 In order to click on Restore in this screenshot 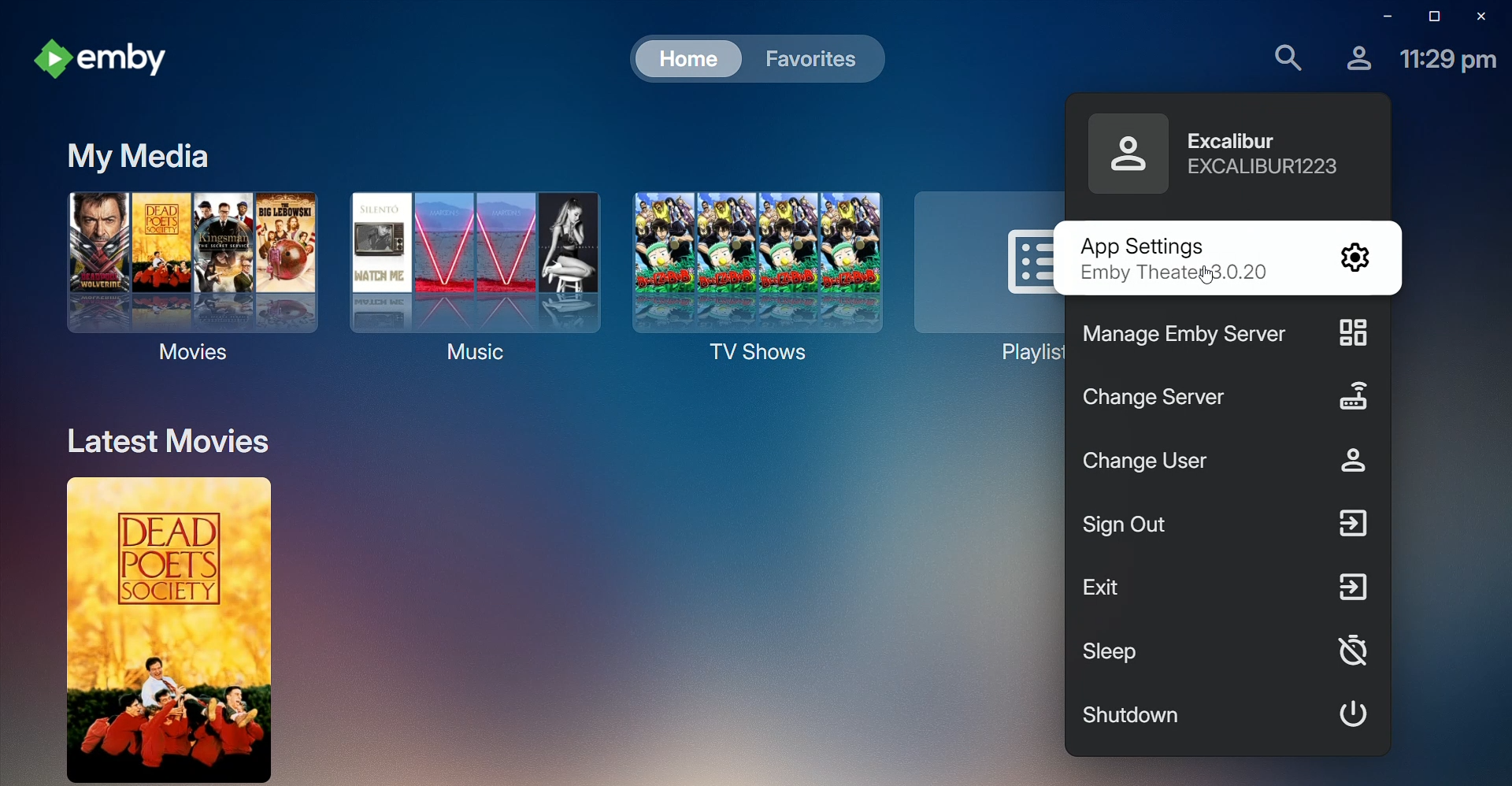, I will do `click(1430, 16)`.